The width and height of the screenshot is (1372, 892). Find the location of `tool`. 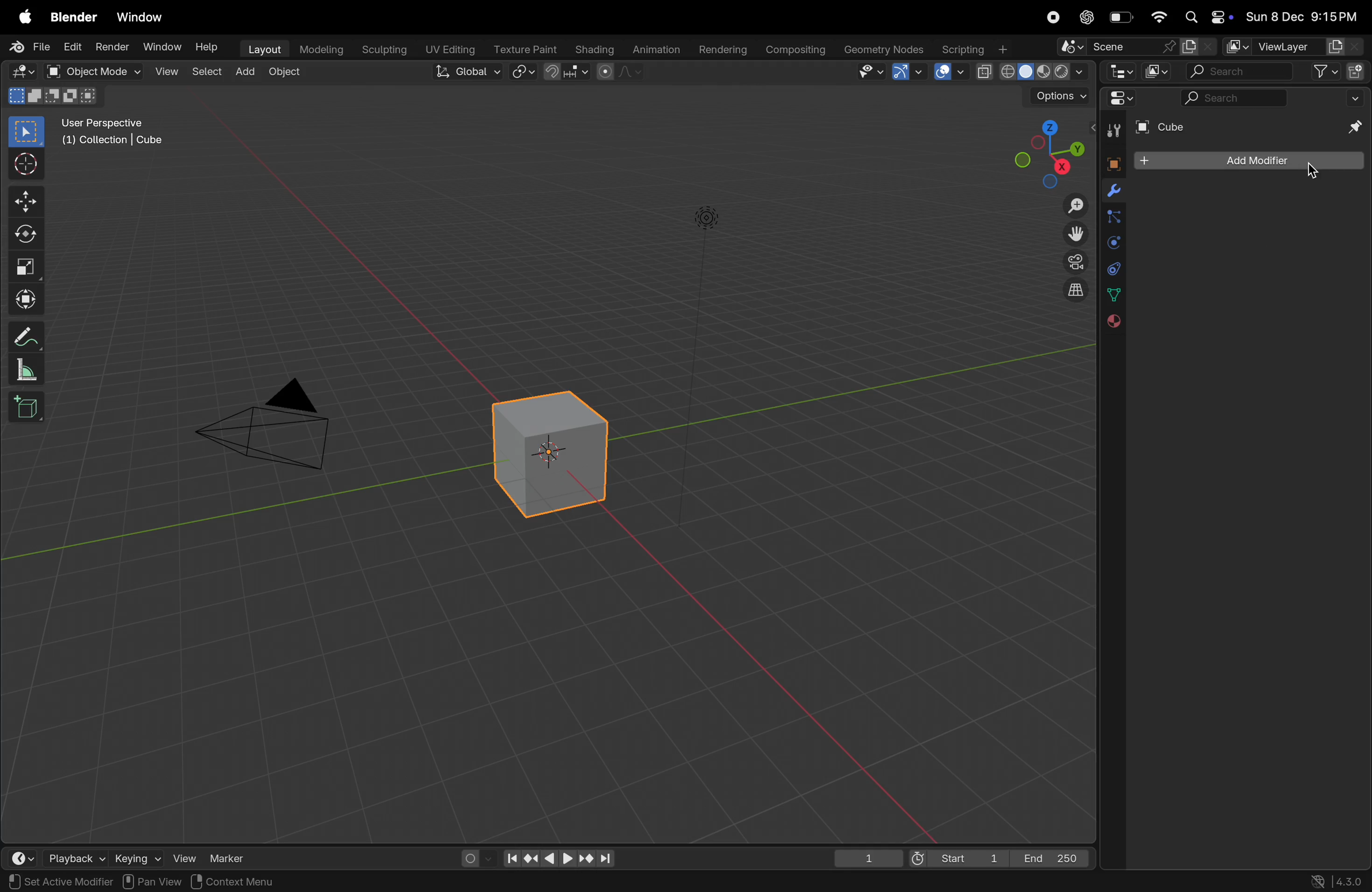

tool is located at coordinates (1111, 131).